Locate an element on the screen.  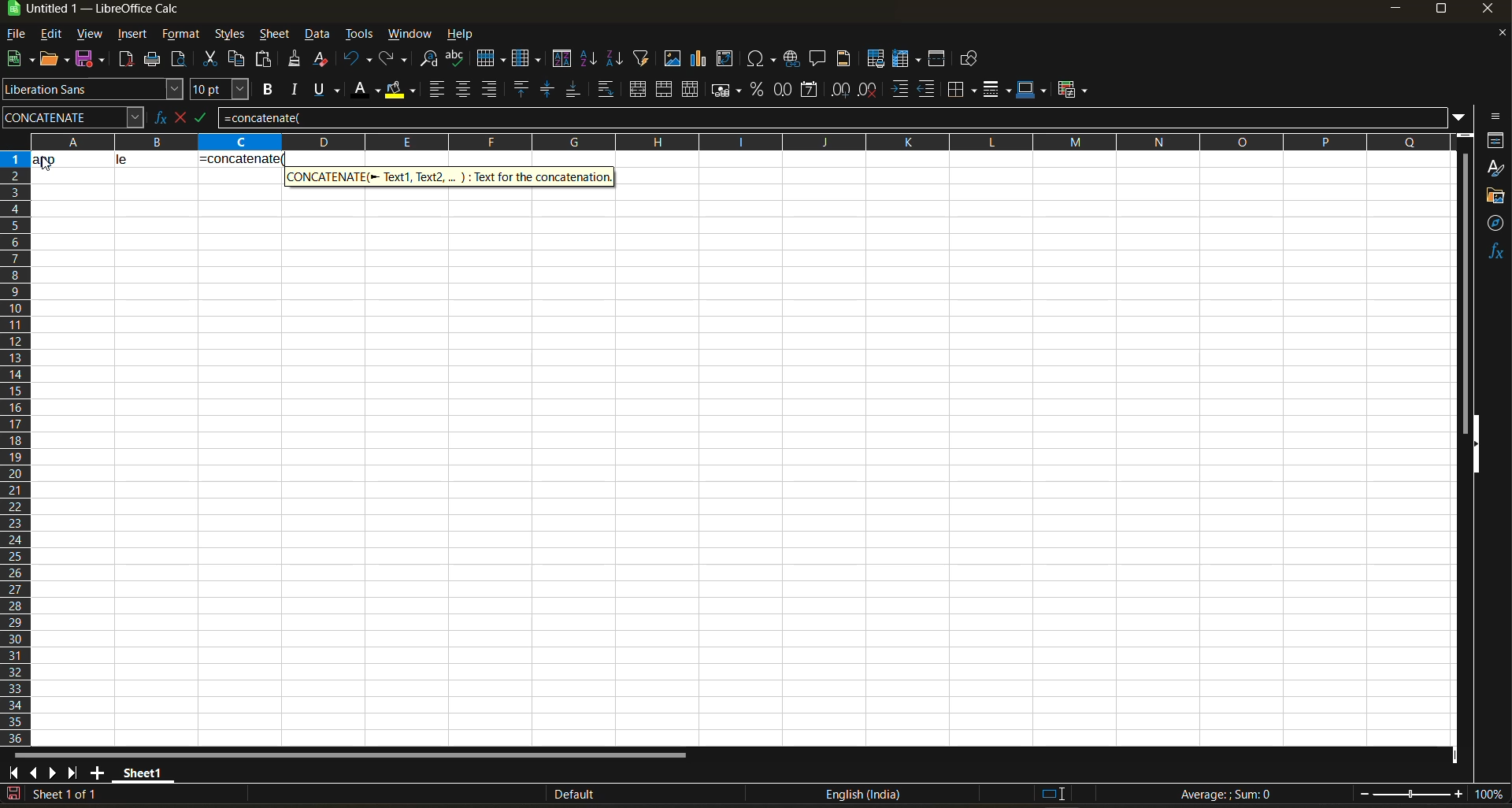
tools is located at coordinates (359, 36).